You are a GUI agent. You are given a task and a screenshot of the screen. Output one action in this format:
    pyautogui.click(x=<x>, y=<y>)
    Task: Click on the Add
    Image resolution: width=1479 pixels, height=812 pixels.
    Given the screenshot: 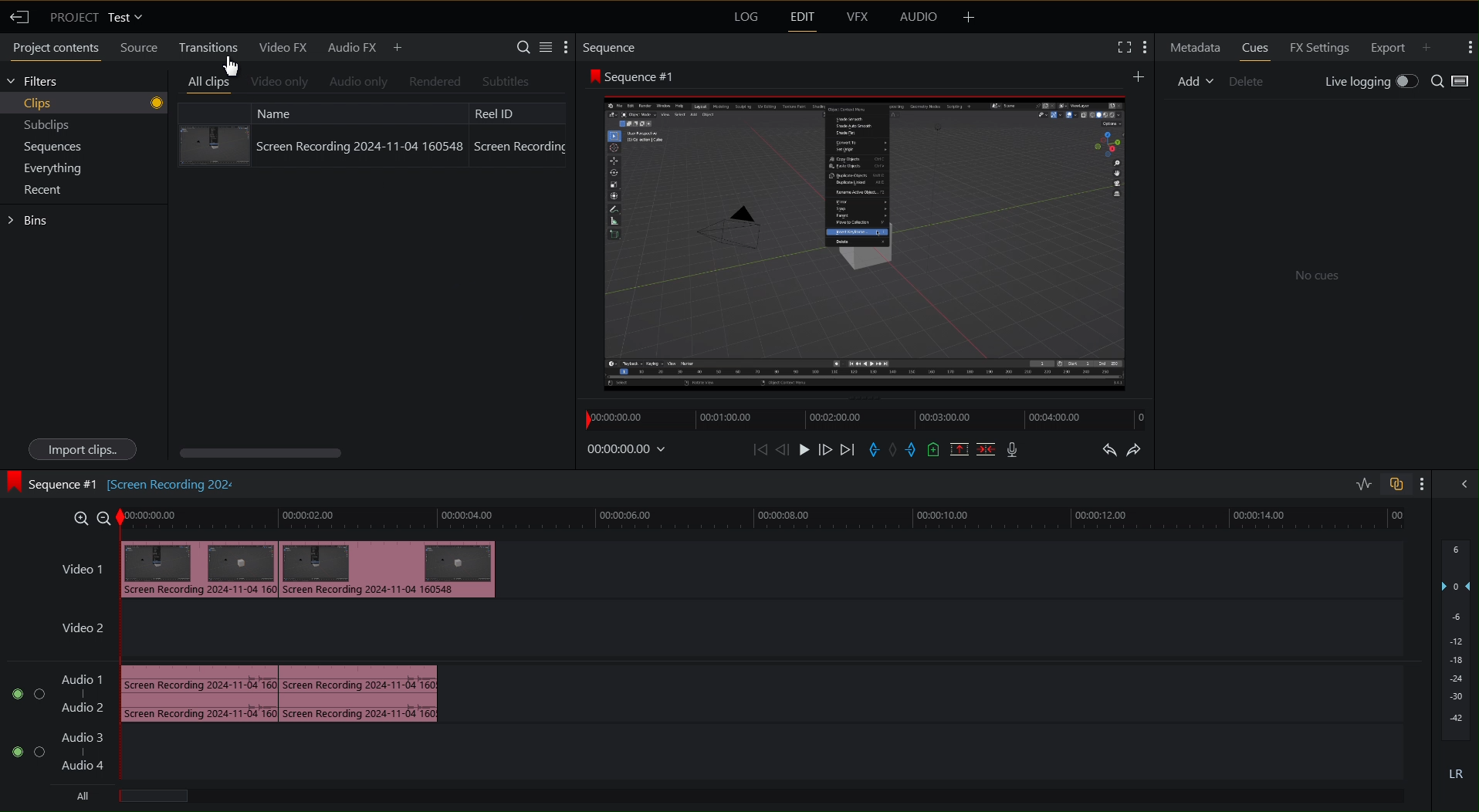 What is the action you would take?
    pyautogui.click(x=1139, y=75)
    